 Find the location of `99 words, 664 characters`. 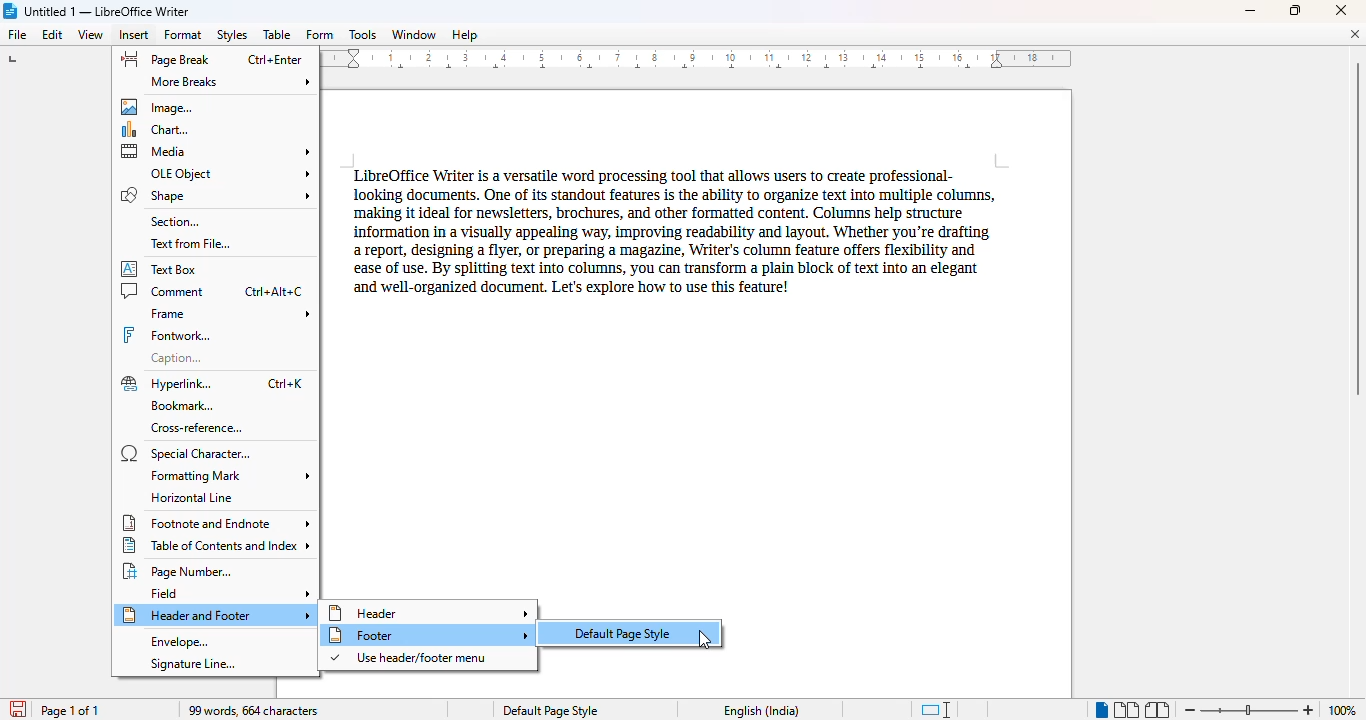

99 words, 664 characters is located at coordinates (255, 711).